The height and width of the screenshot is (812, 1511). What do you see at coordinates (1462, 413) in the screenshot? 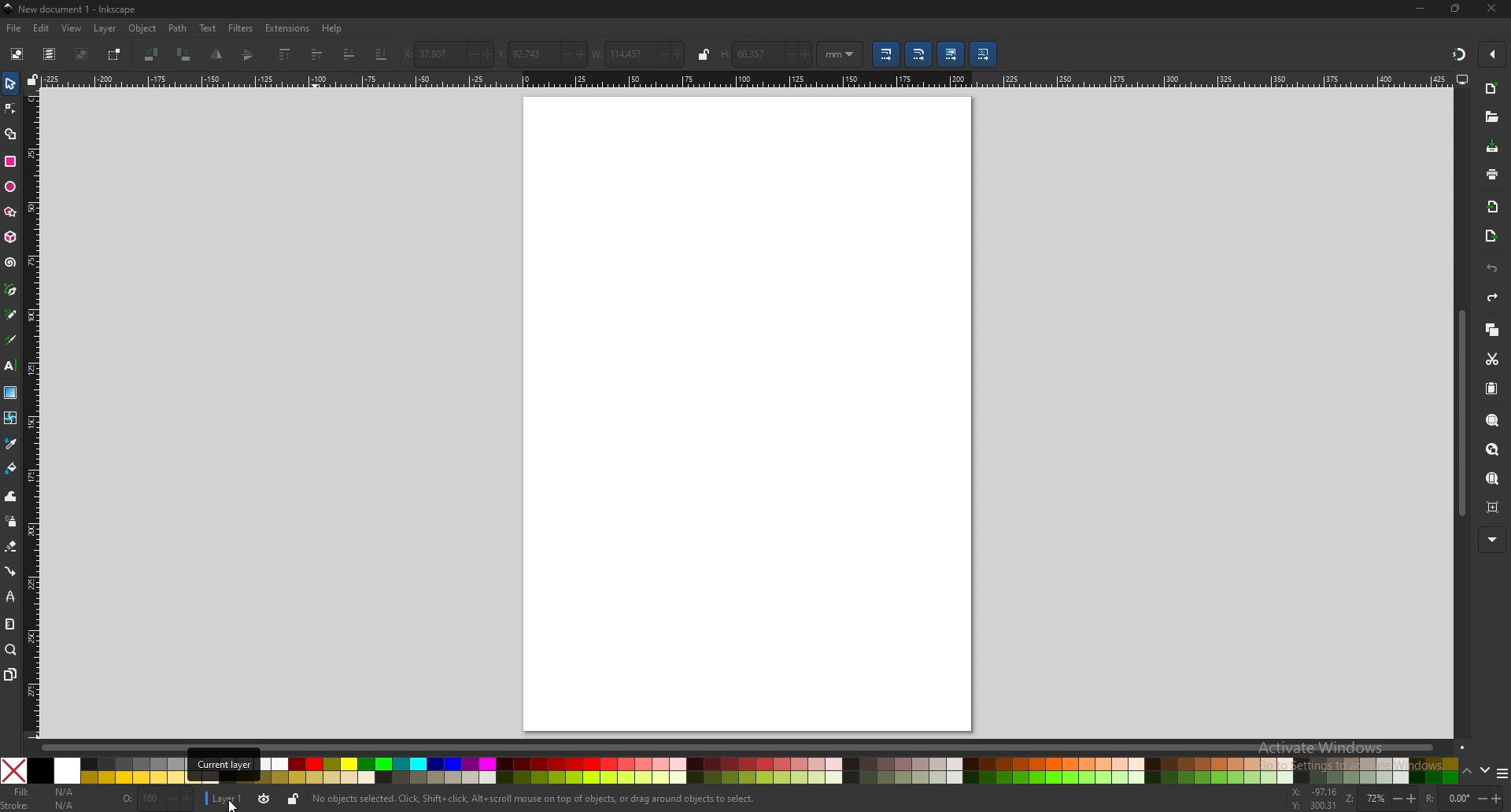
I see `scroll bar` at bounding box center [1462, 413].